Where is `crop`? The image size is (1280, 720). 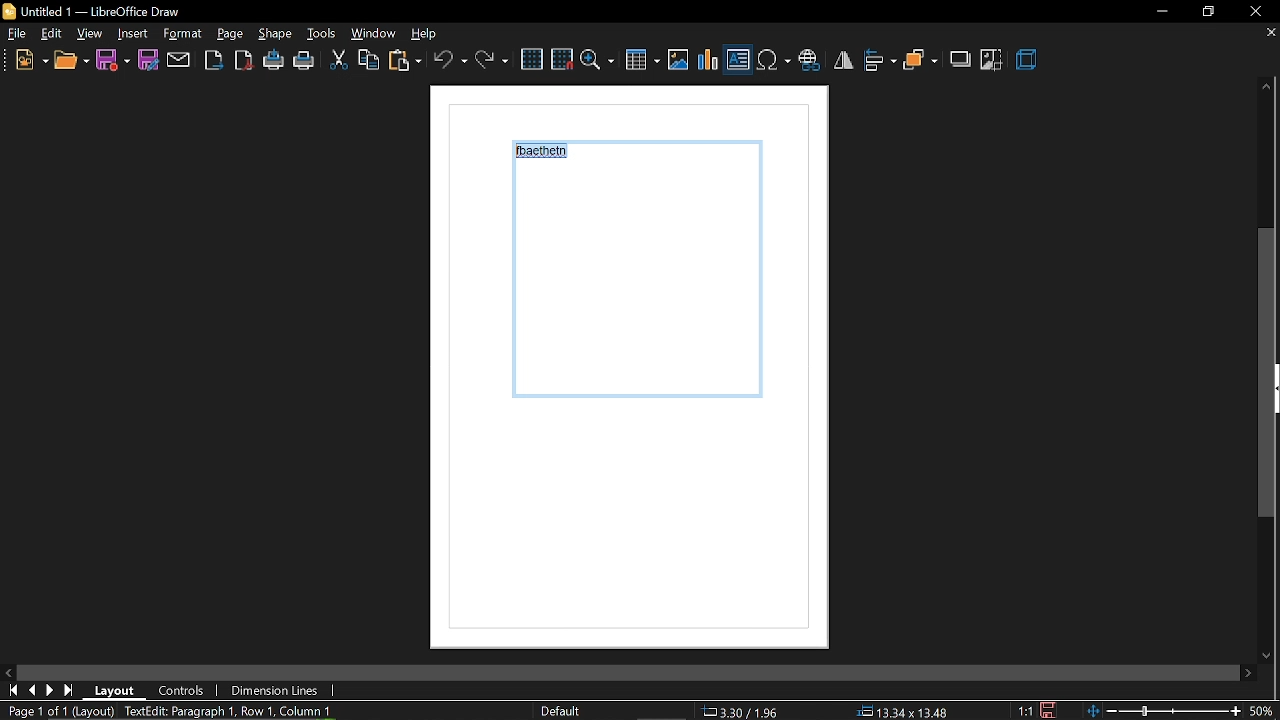 crop is located at coordinates (993, 62).